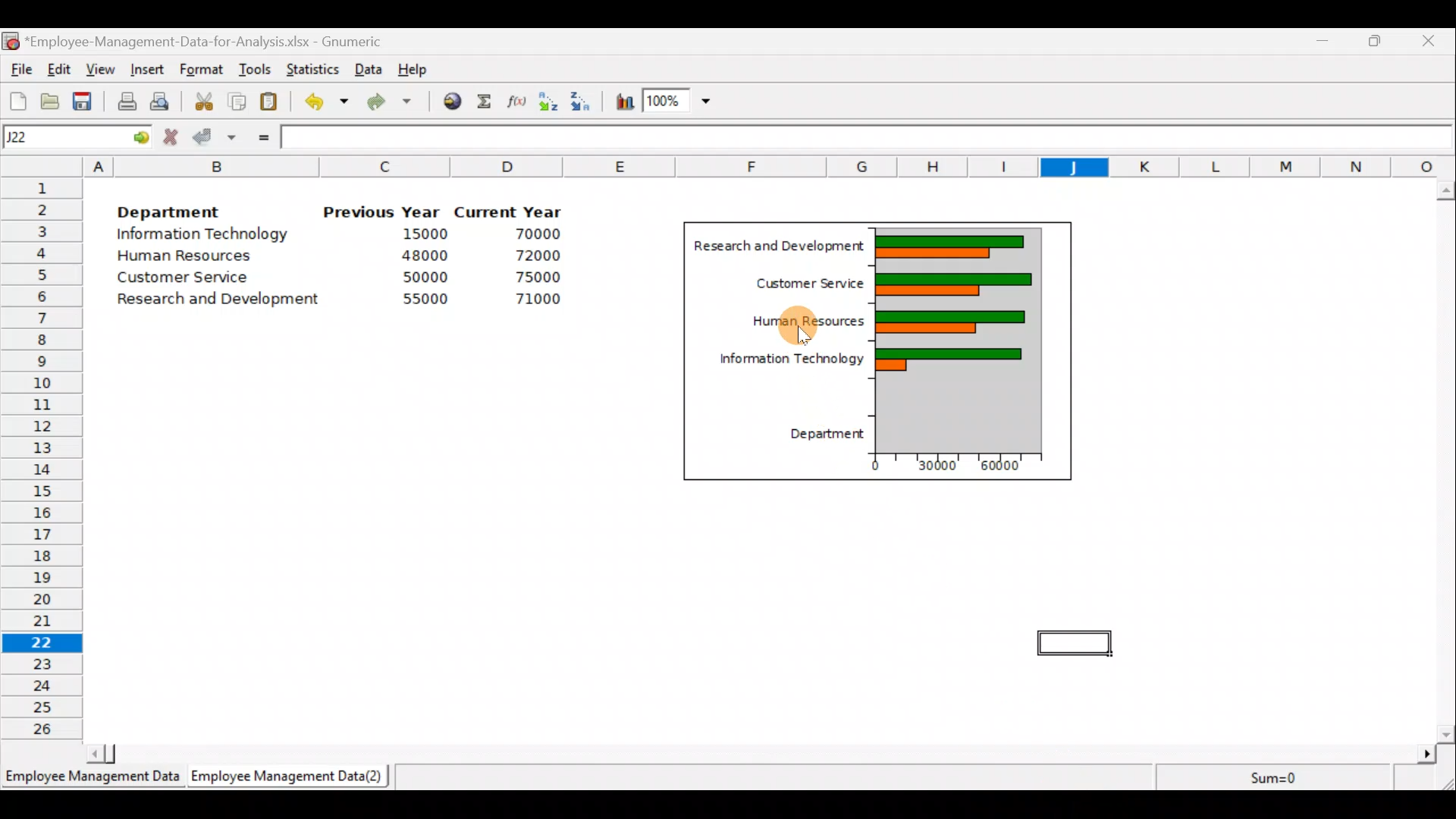 Image resolution: width=1456 pixels, height=819 pixels. Describe the element at coordinates (541, 253) in the screenshot. I see `72000` at that location.